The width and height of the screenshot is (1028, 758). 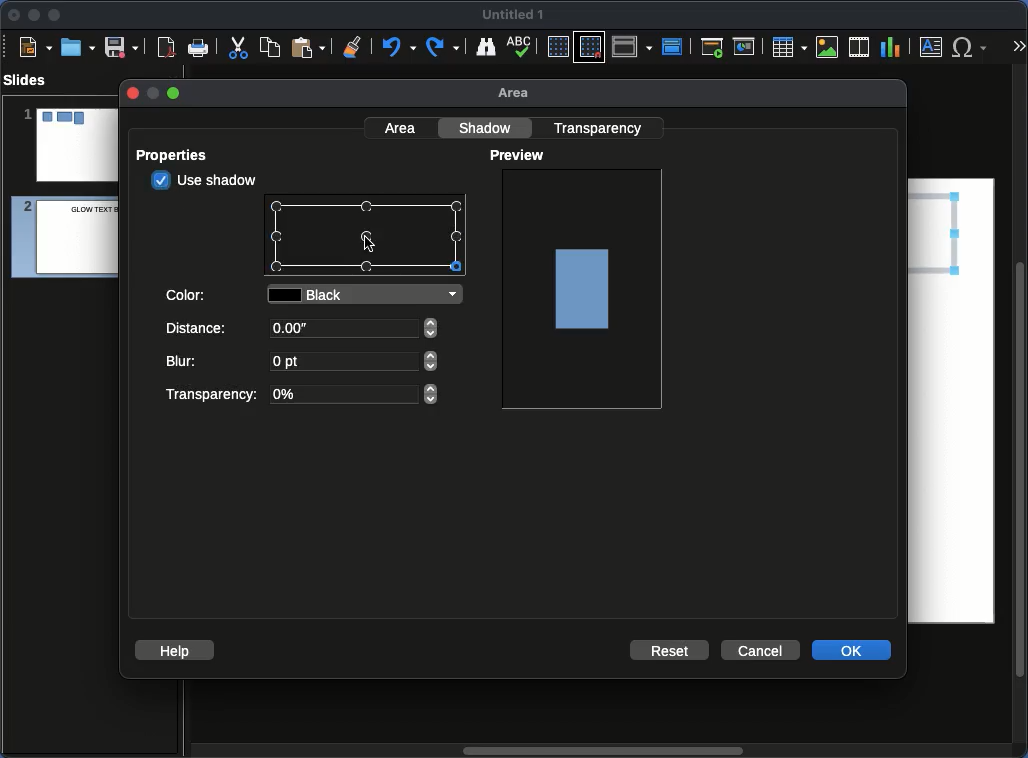 What do you see at coordinates (304, 332) in the screenshot?
I see `Distance` at bounding box center [304, 332].